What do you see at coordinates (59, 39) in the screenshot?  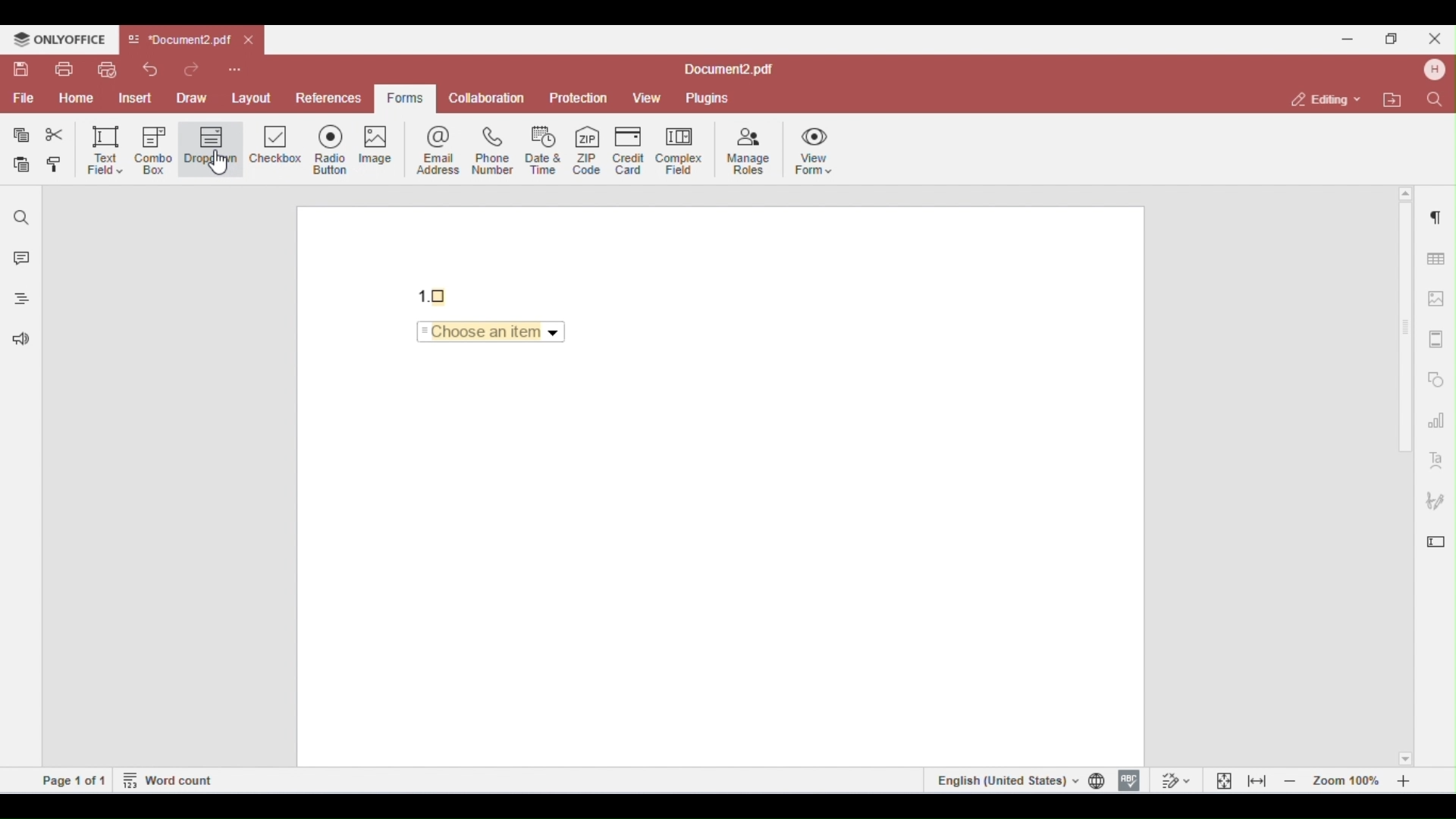 I see `onlyoffice` at bounding box center [59, 39].